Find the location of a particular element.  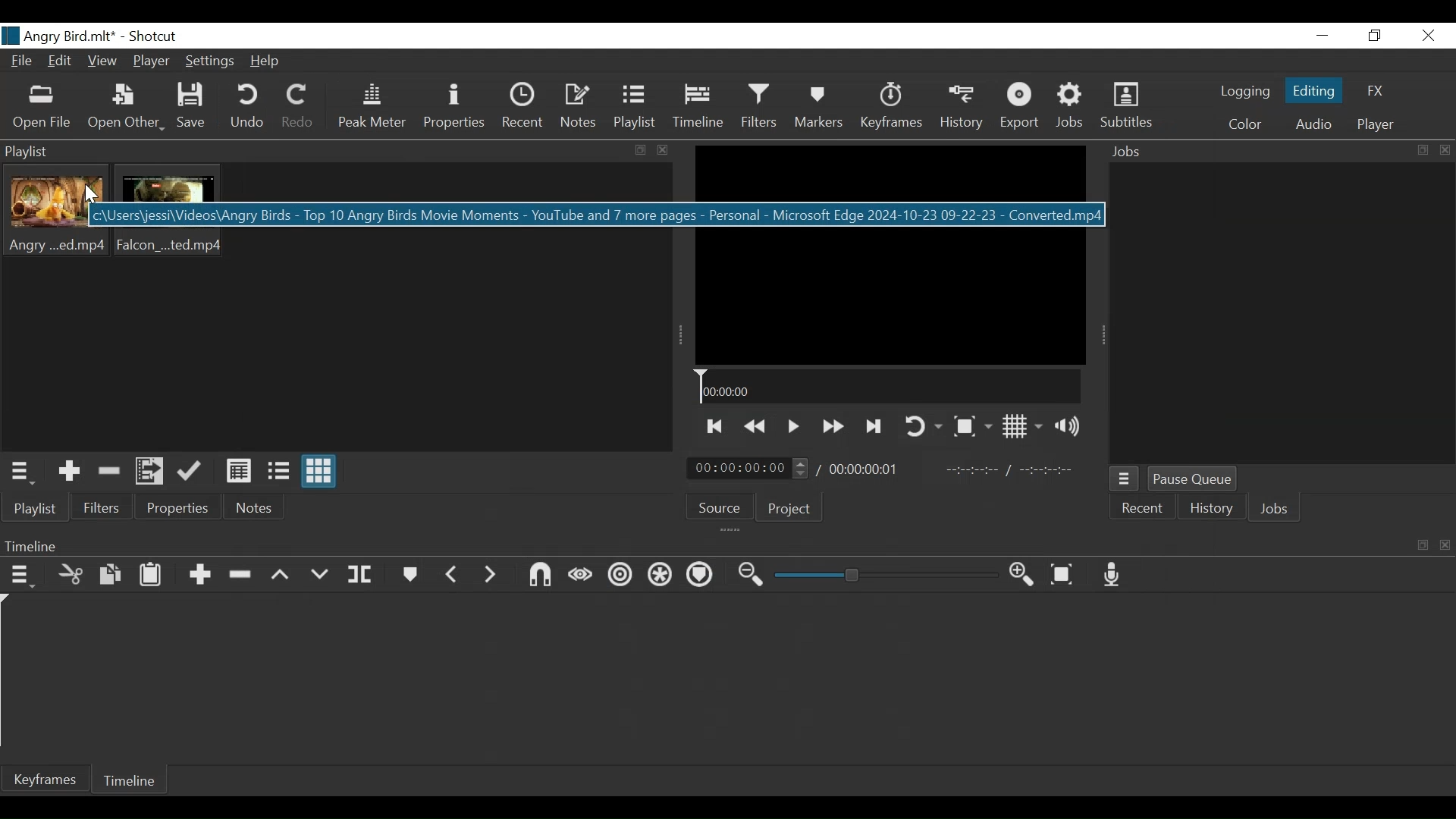

Timeline menu is located at coordinates (724, 545).